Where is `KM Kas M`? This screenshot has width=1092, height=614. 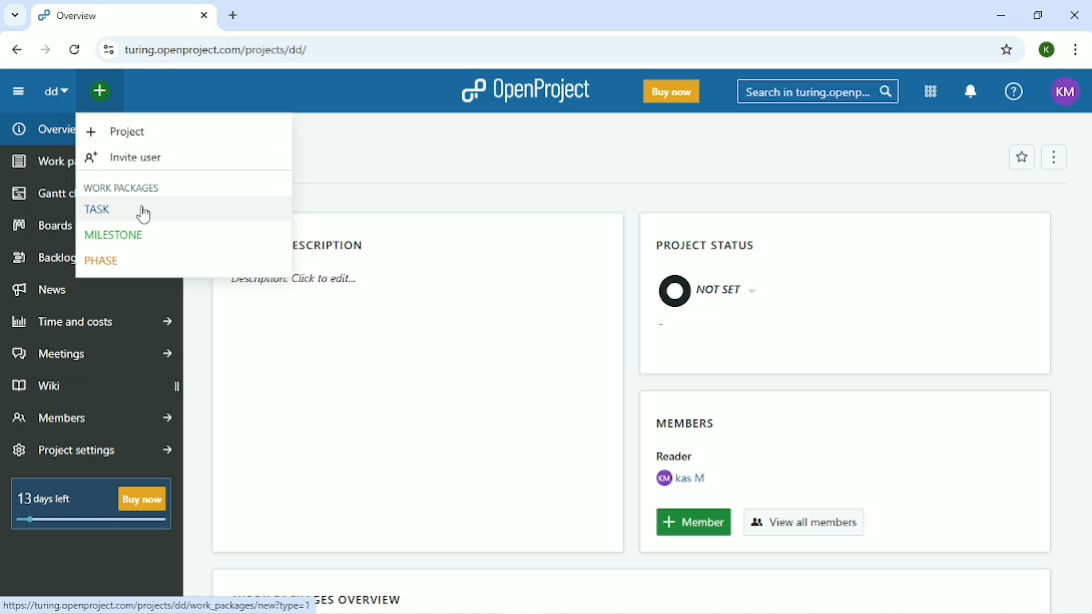
KM Kas M is located at coordinates (678, 478).